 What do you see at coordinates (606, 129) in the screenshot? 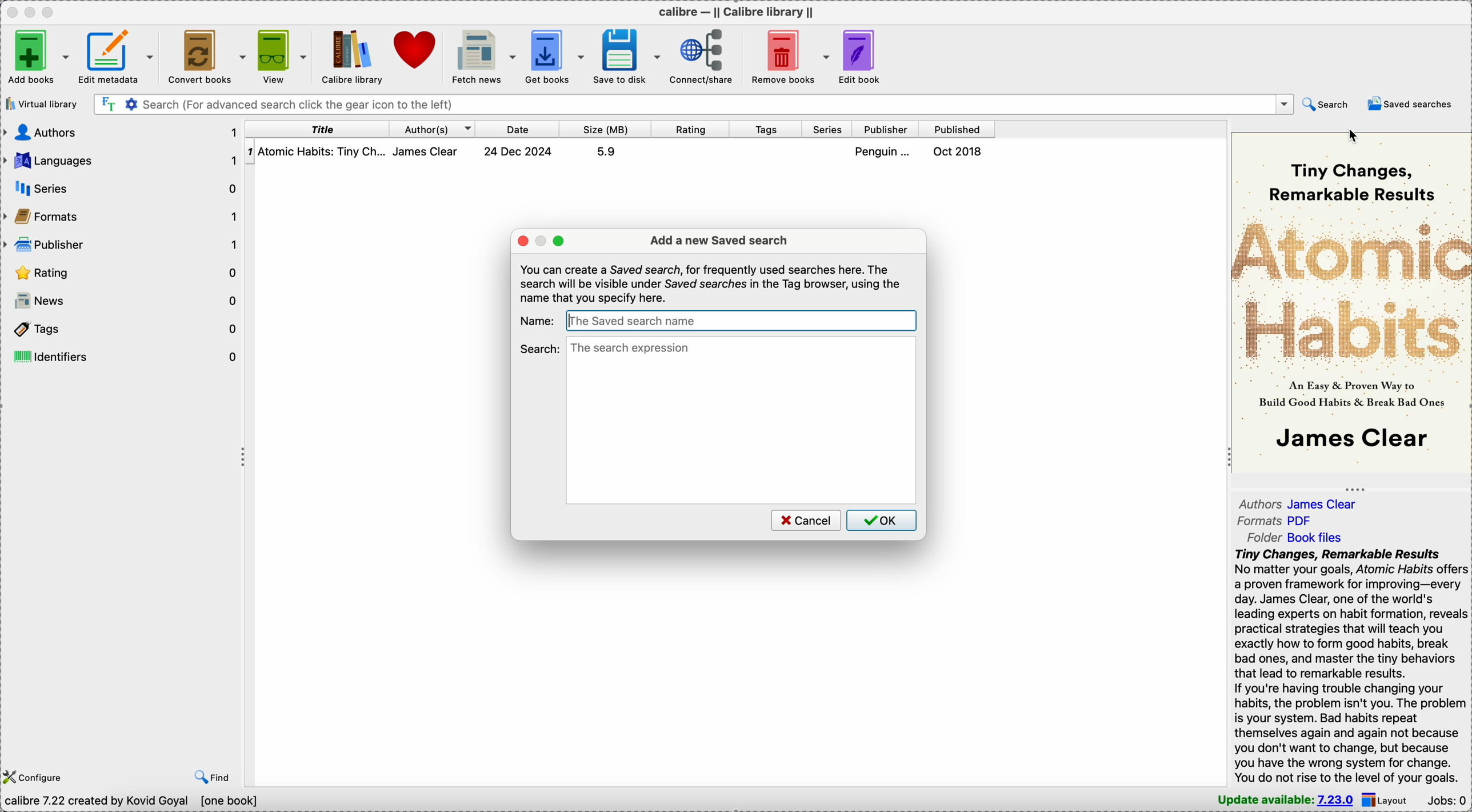
I see `size` at bounding box center [606, 129].